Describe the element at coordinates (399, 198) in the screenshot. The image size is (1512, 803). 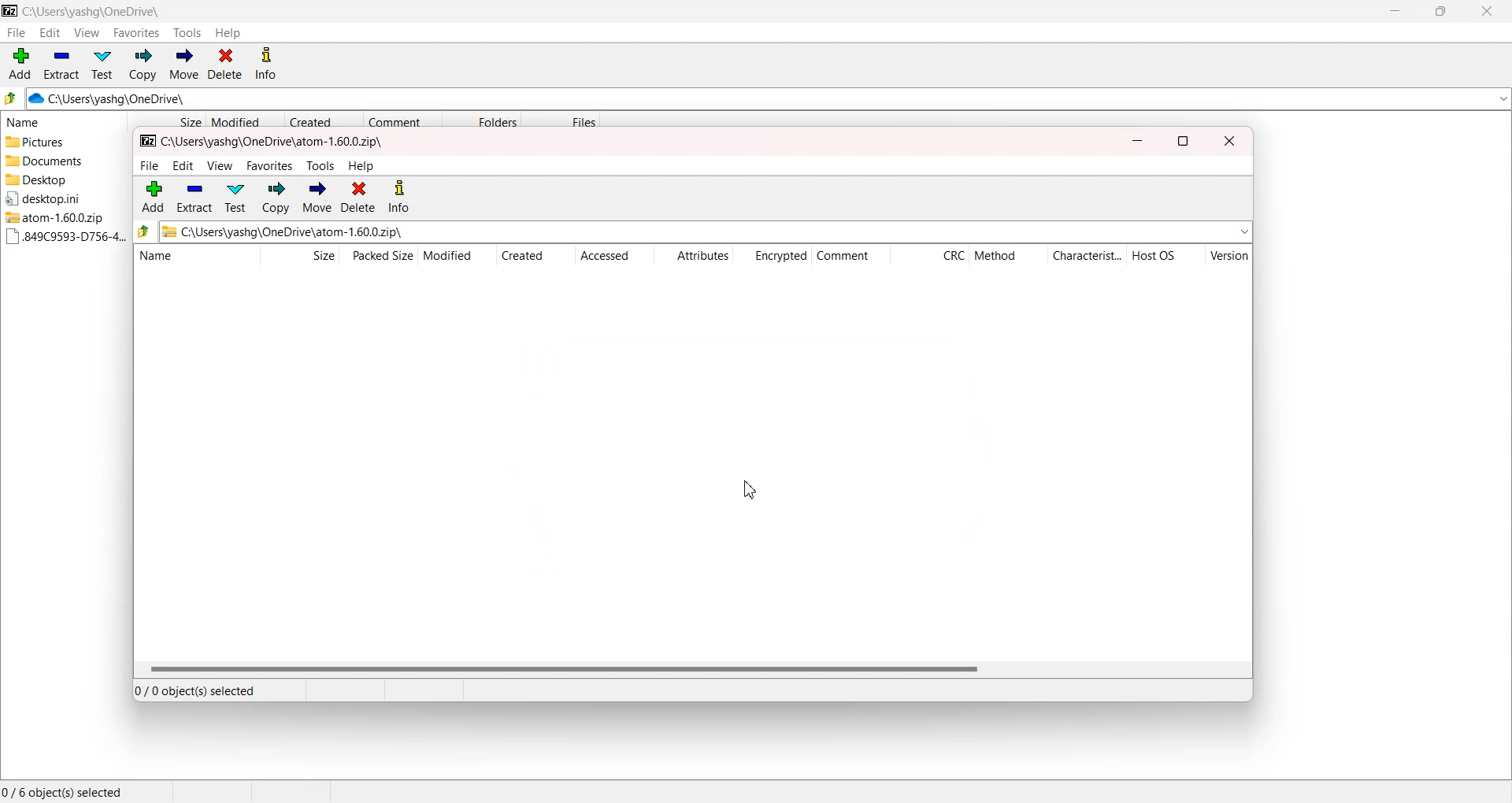
I see `info` at that location.